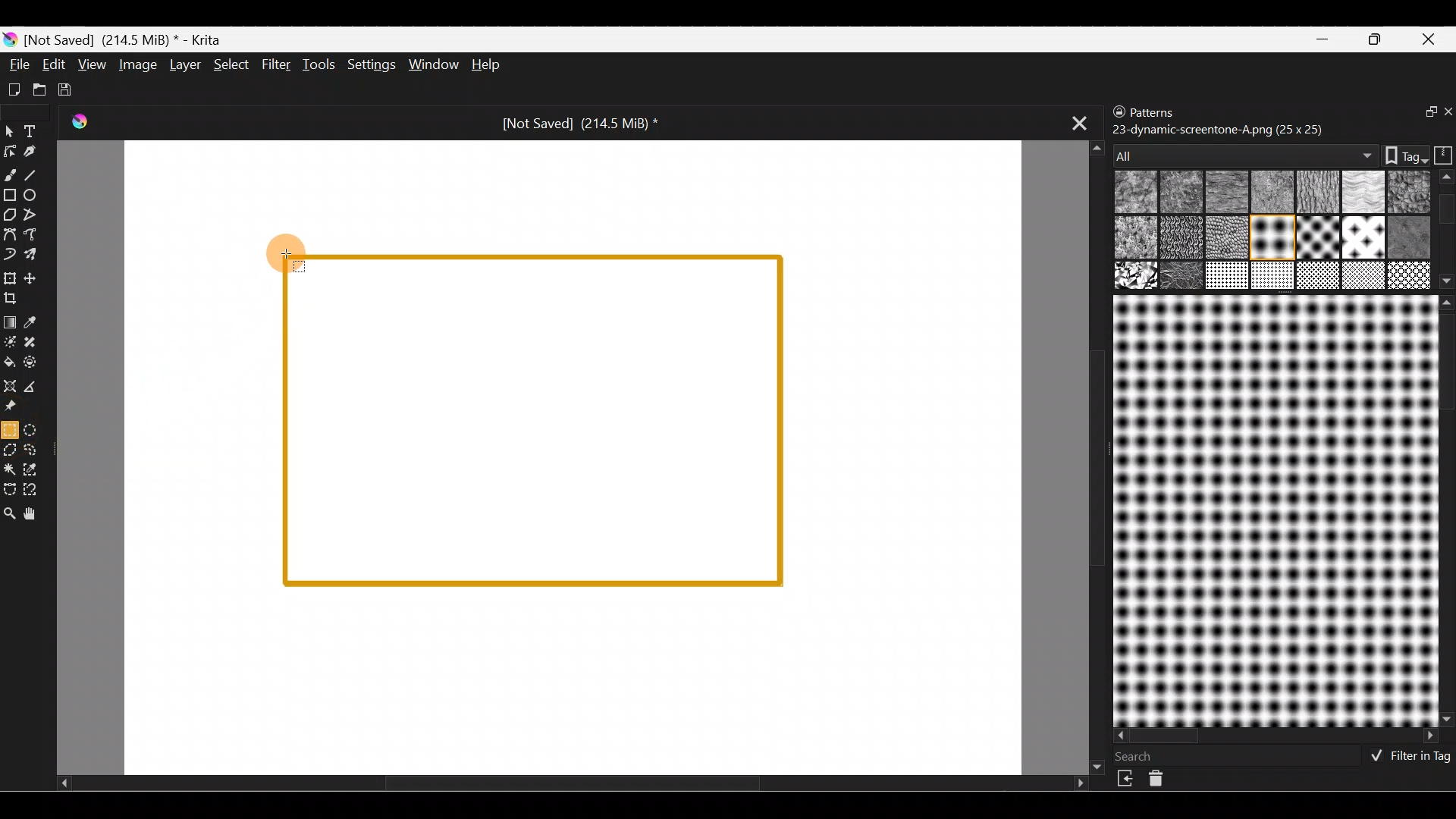 This screenshot has height=819, width=1456. I want to click on Draw a gradient, so click(12, 318).